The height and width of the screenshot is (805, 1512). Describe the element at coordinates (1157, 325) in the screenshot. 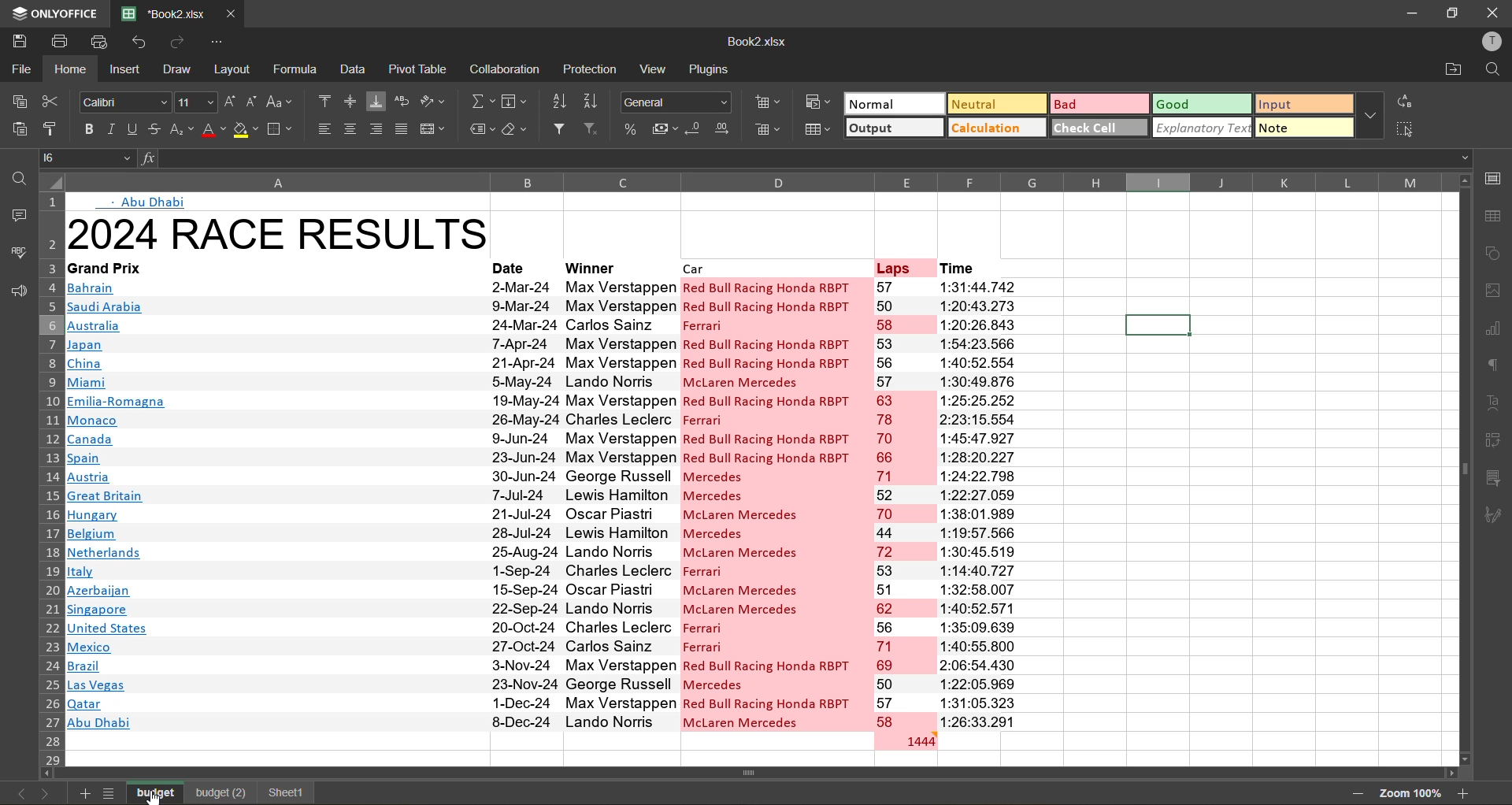

I see `selected cell` at that location.